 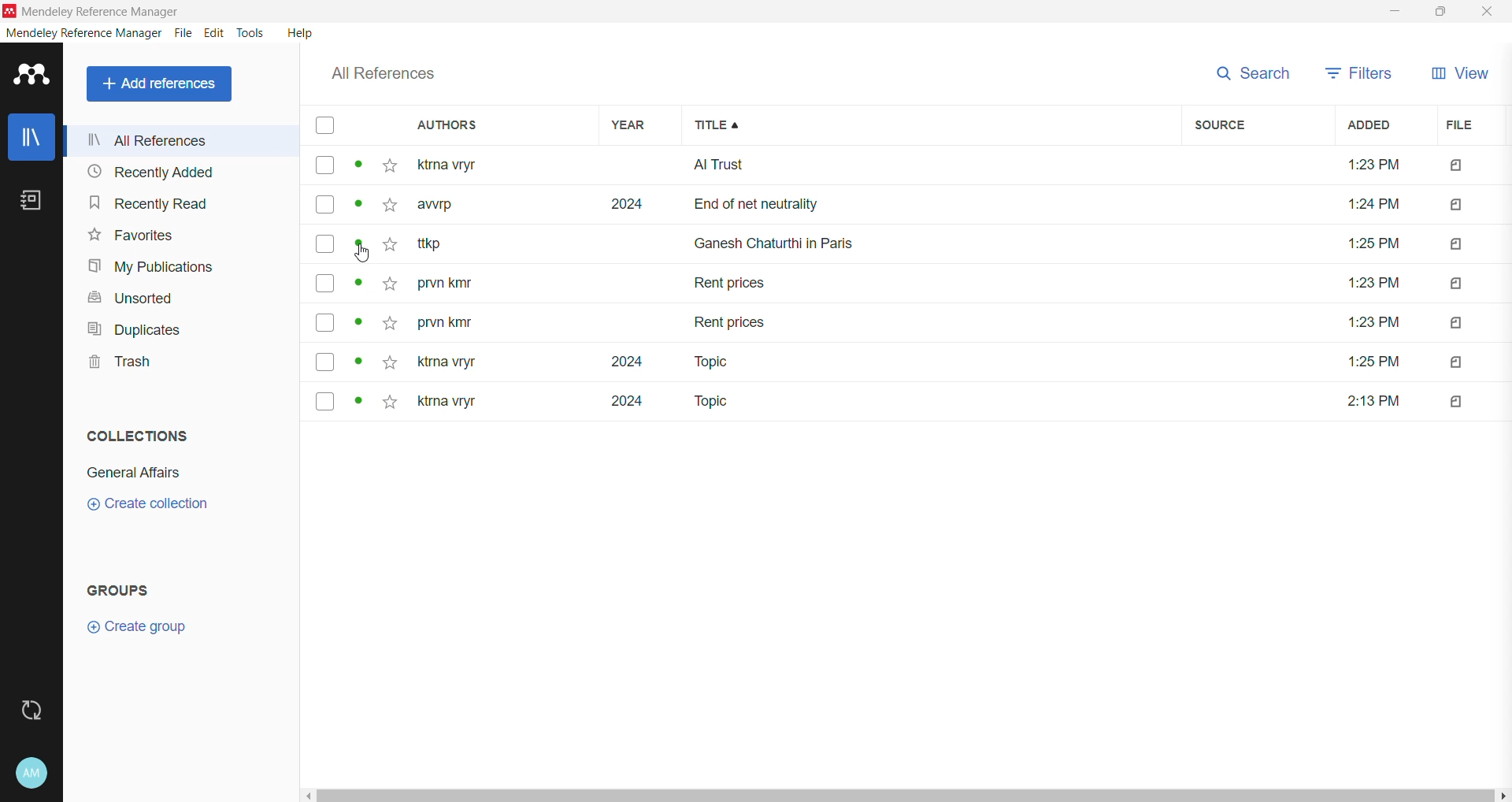 What do you see at coordinates (130, 236) in the screenshot?
I see `Favorites` at bounding box center [130, 236].